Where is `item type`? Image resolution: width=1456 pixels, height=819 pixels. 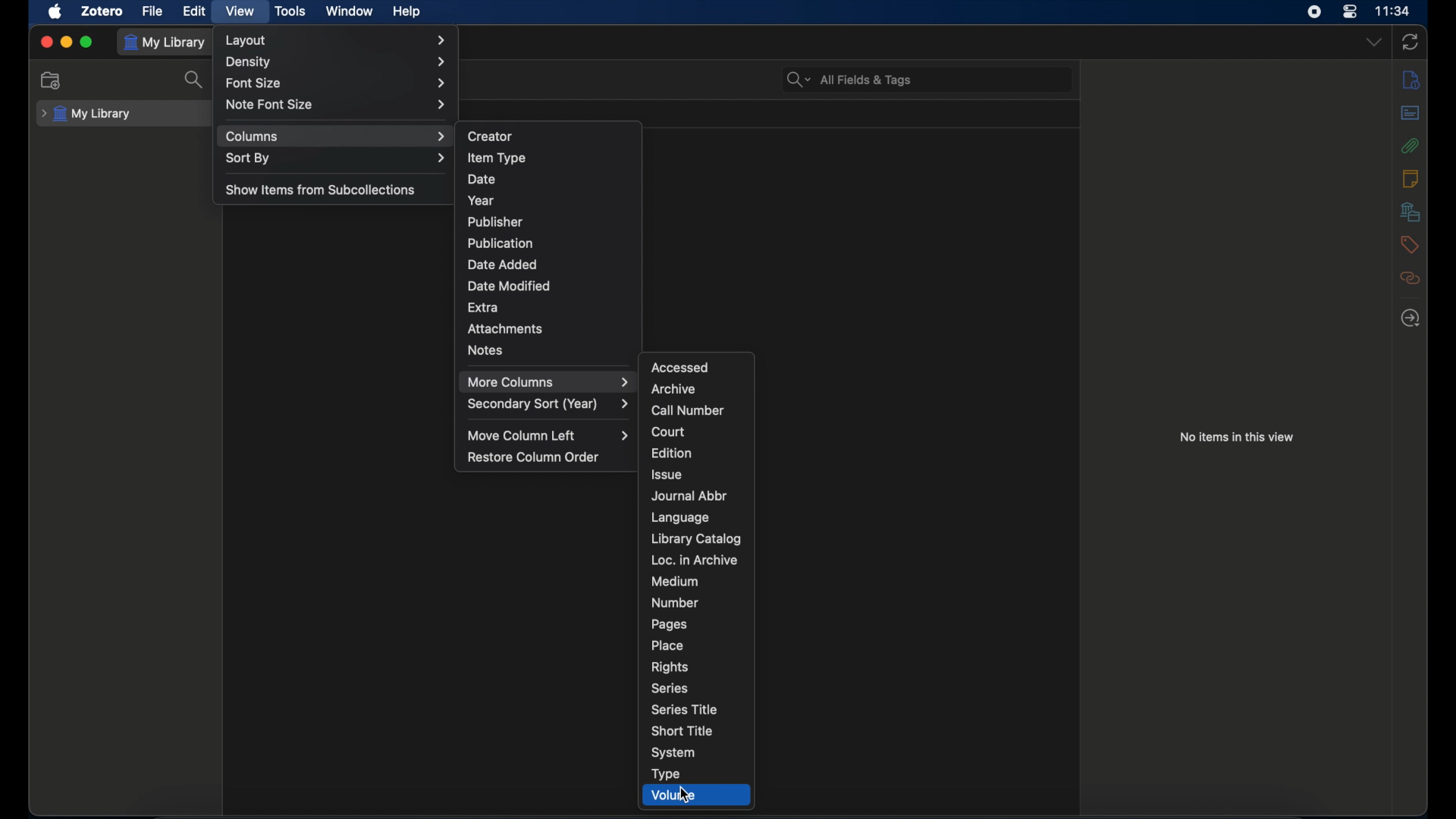
item type is located at coordinates (497, 158).